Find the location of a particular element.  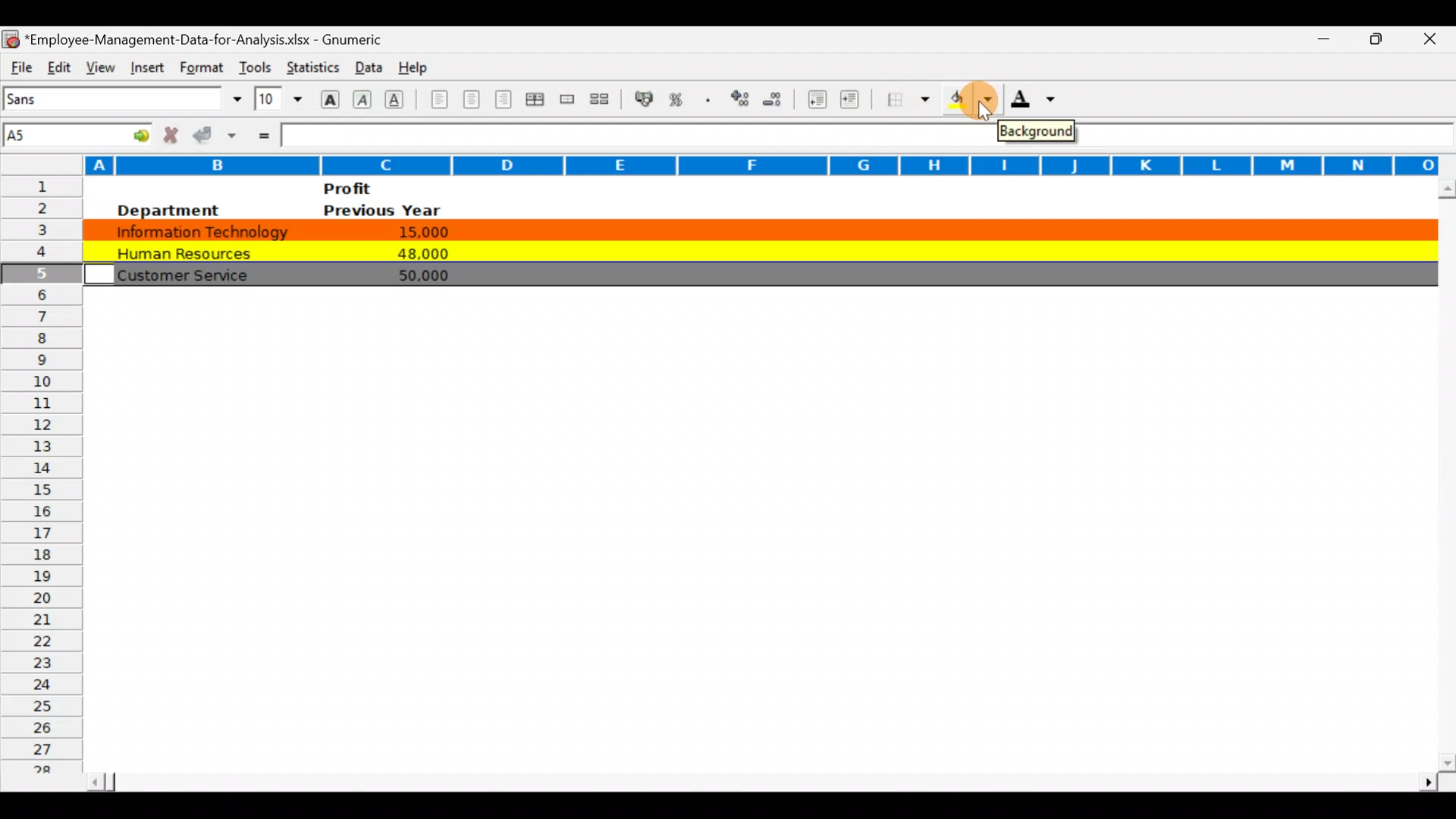

Centre horizontally across the selection is located at coordinates (538, 102).